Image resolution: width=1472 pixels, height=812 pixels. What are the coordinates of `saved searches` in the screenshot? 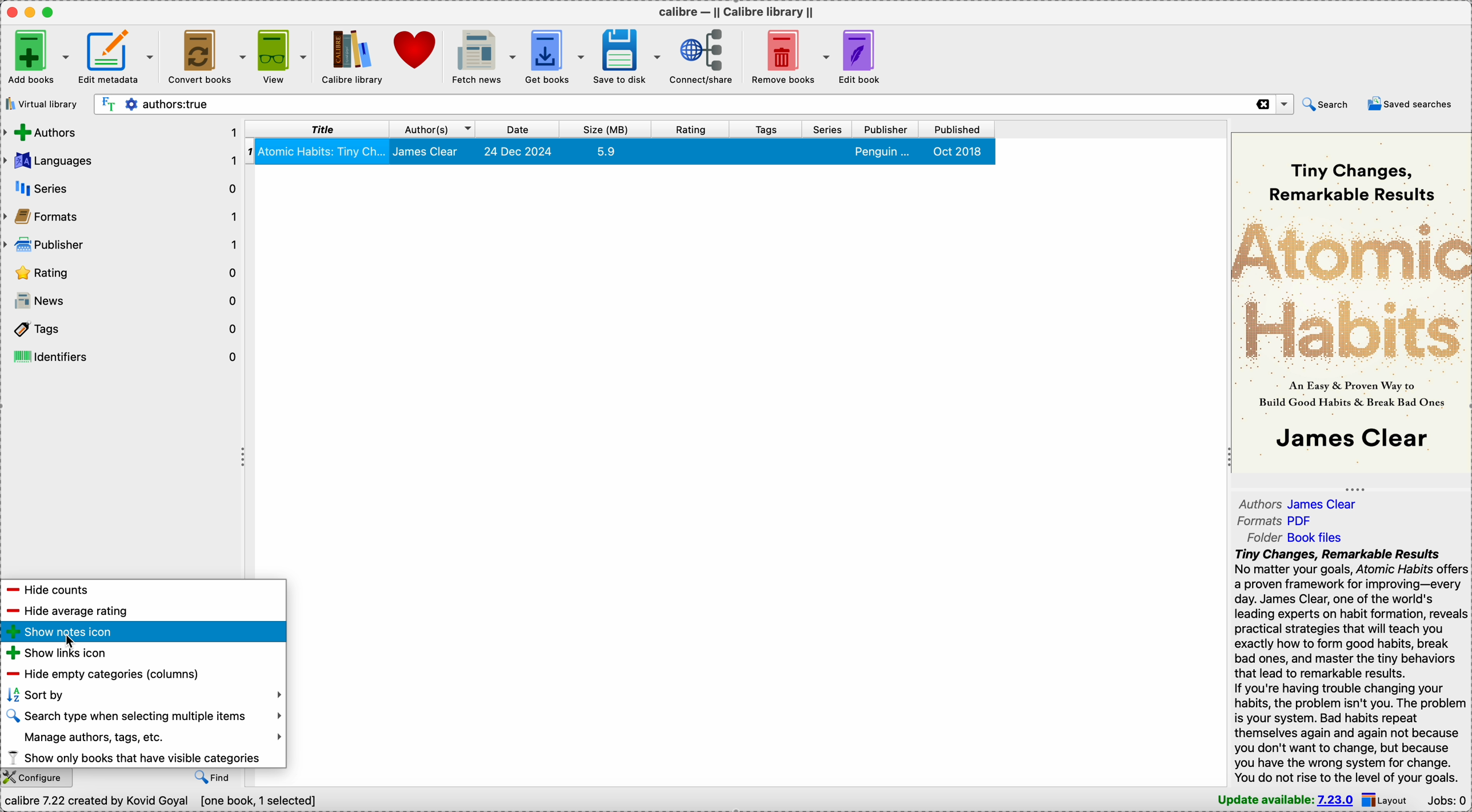 It's located at (1411, 103).